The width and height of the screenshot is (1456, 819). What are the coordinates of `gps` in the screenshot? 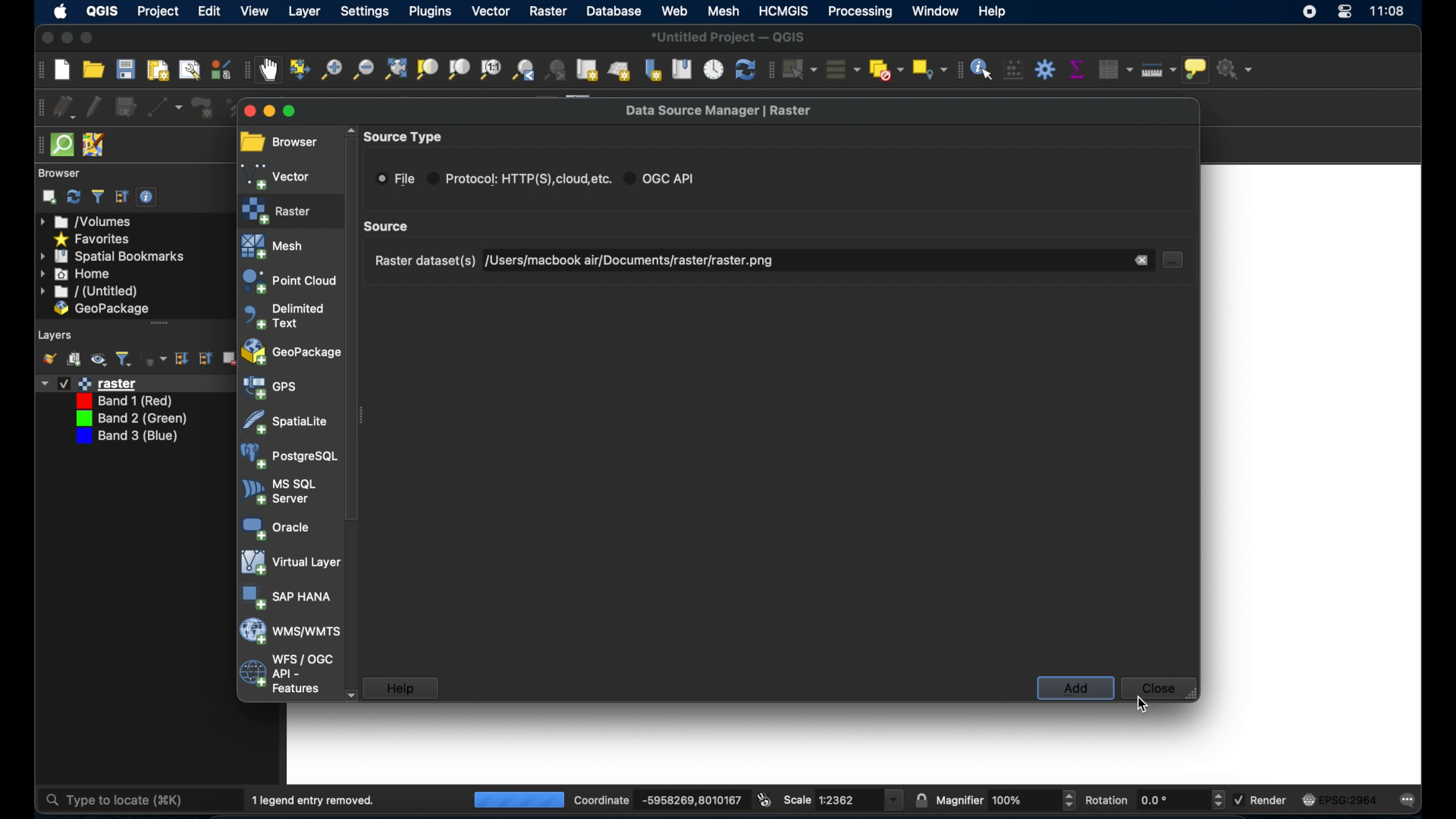 It's located at (271, 389).